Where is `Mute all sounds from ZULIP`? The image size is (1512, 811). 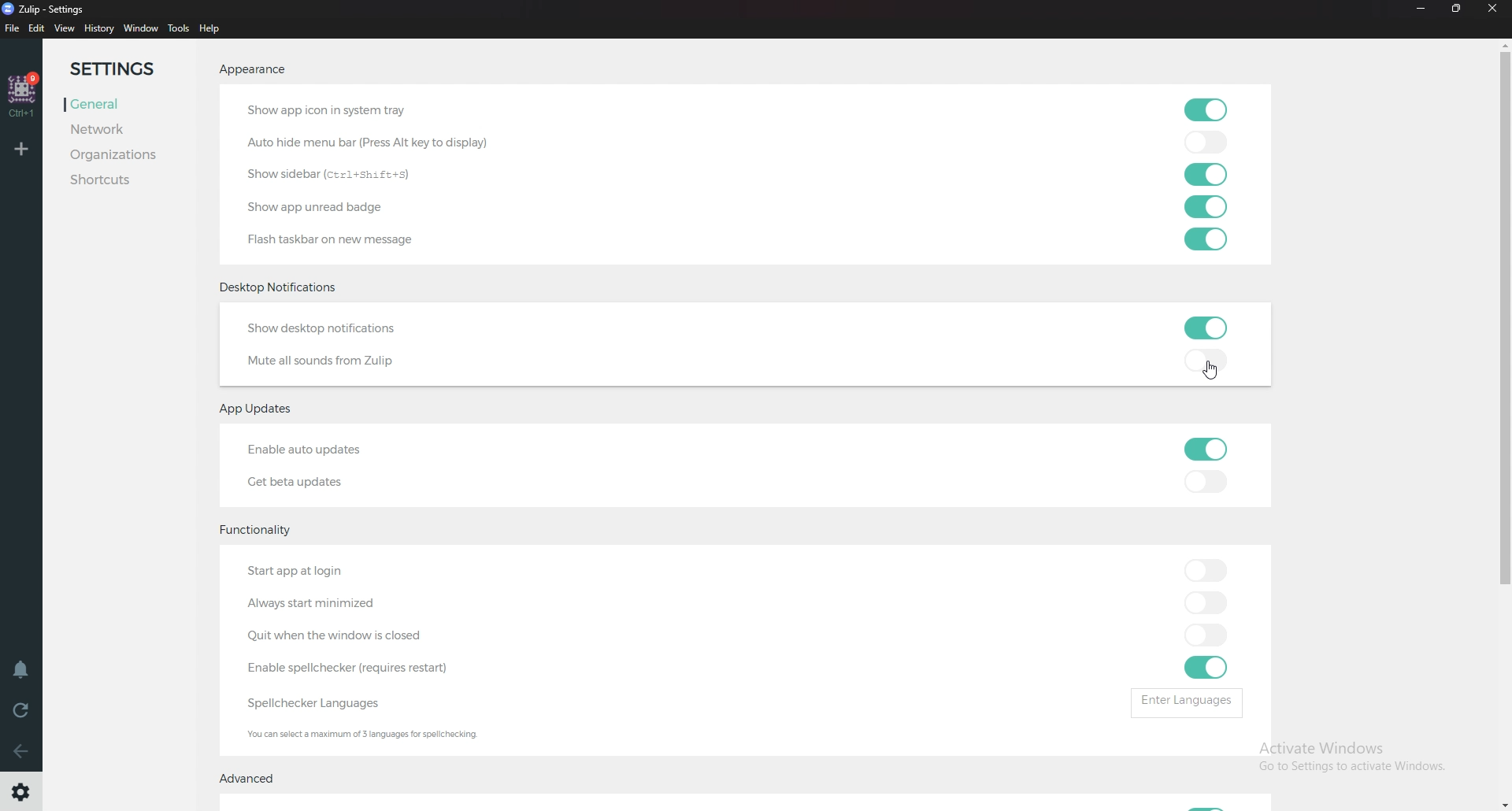 Mute all sounds from ZULIP is located at coordinates (329, 363).